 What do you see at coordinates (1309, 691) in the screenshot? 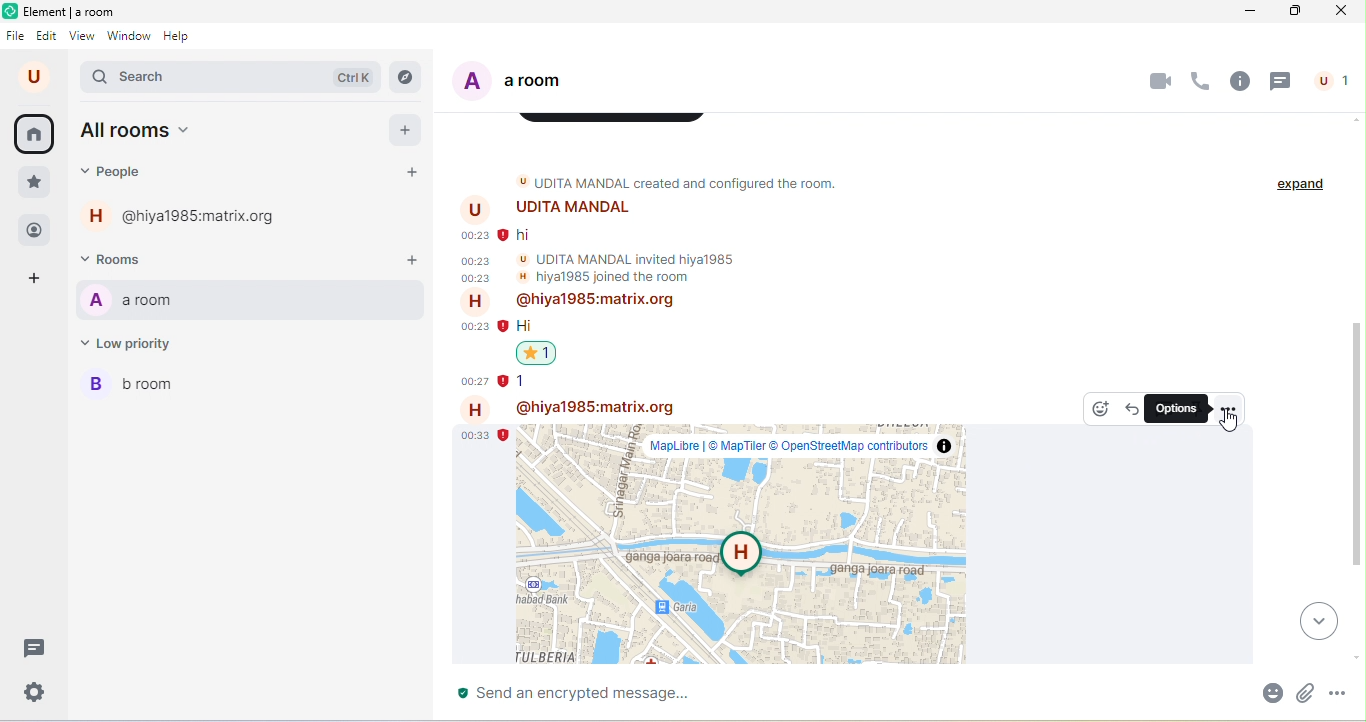
I see `attachment` at bounding box center [1309, 691].